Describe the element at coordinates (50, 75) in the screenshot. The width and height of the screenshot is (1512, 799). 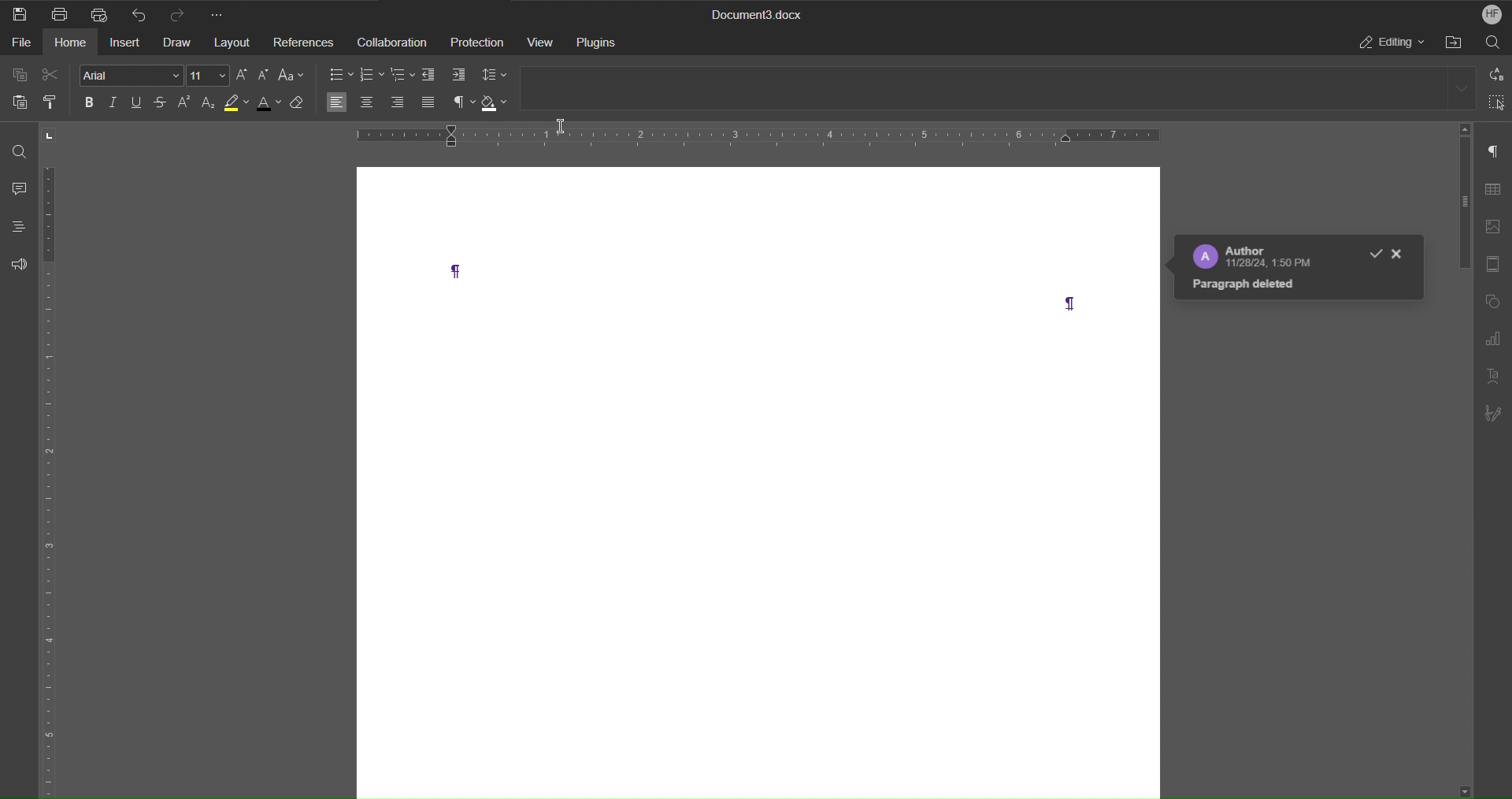
I see `Cut ` at that location.